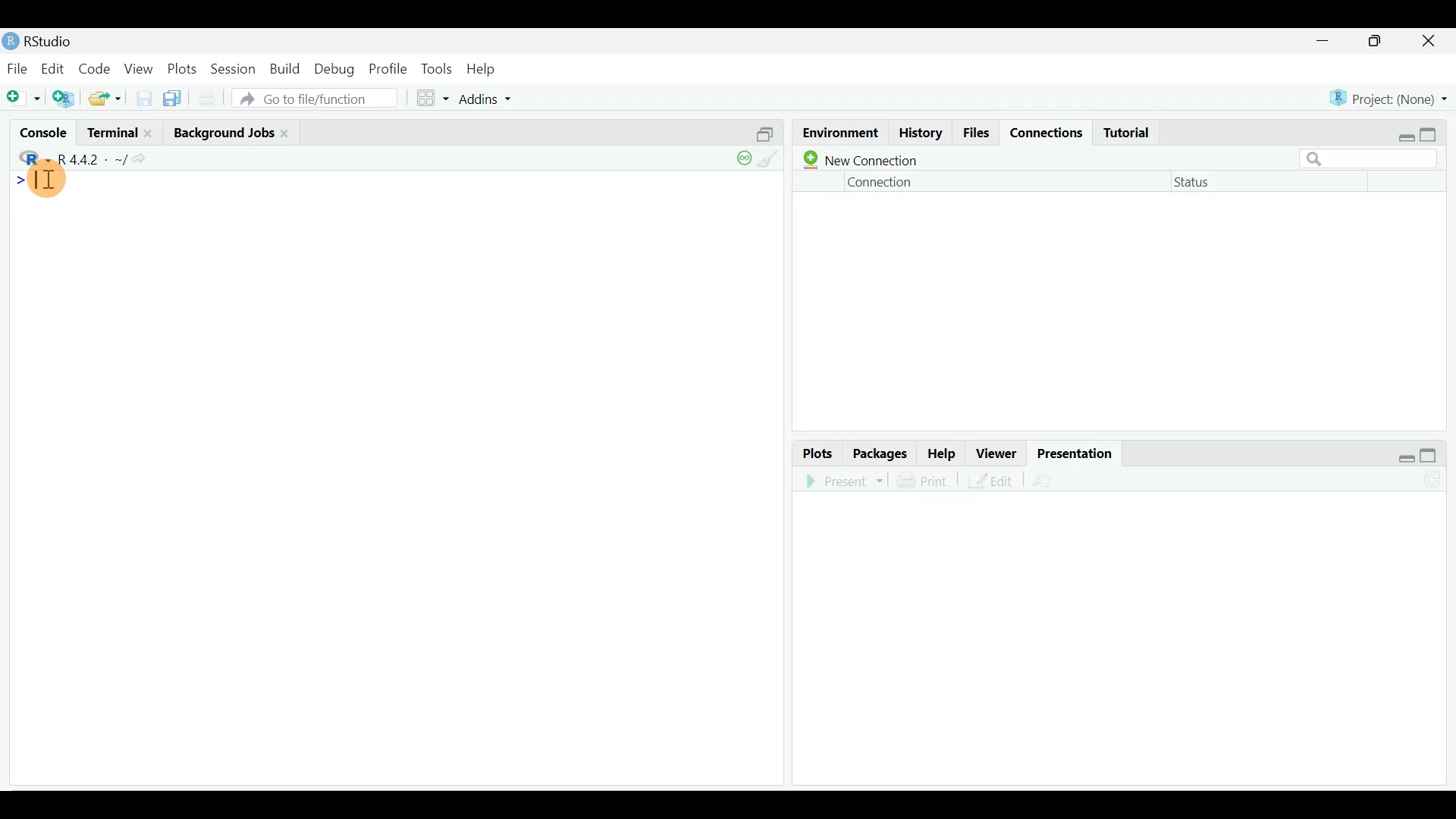 Image resolution: width=1456 pixels, height=819 pixels. Describe the element at coordinates (836, 132) in the screenshot. I see `Environment` at that location.